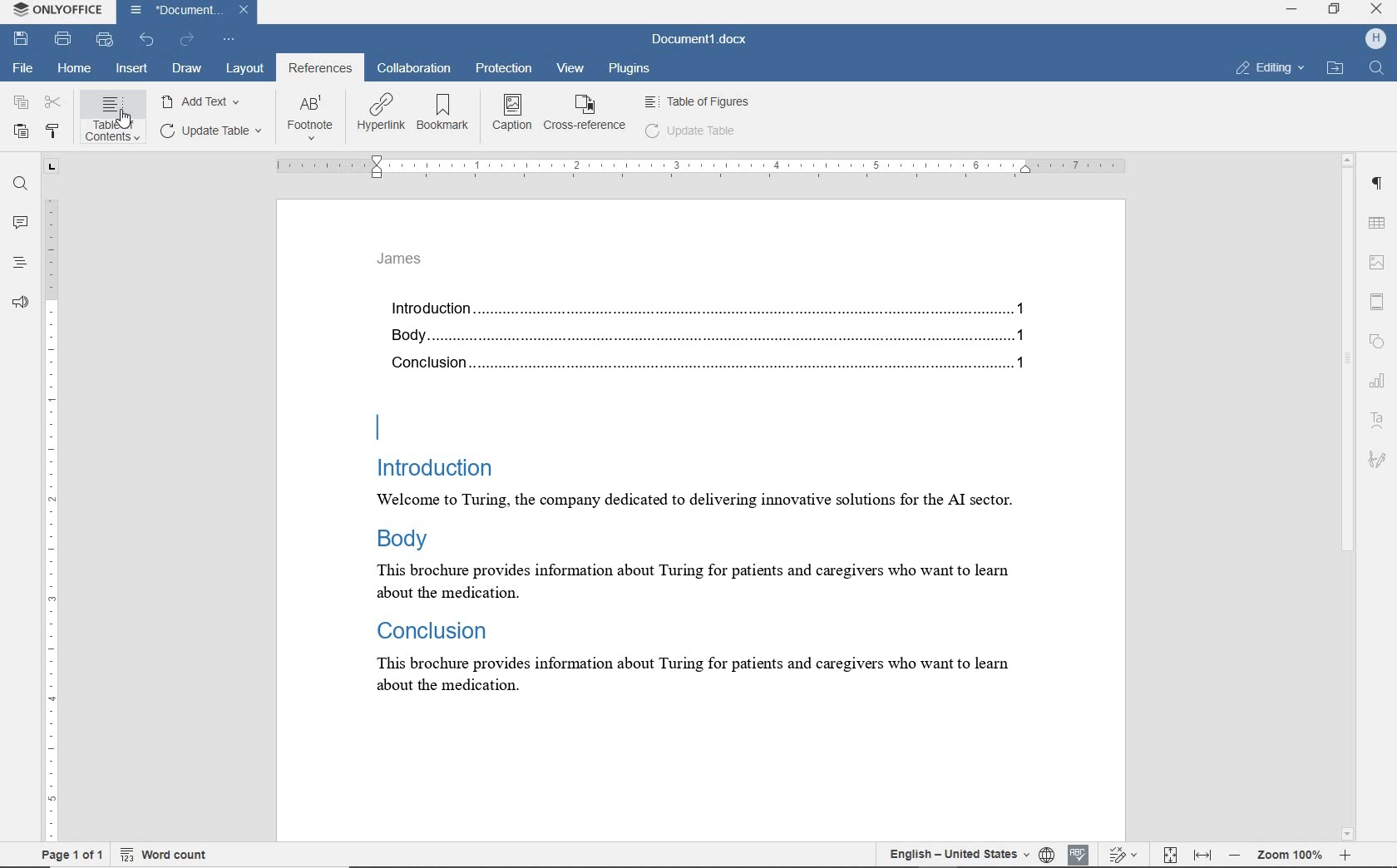 The image size is (1397, 868). Describe the element at coordinates (72, 856) in the screenshot. I see `page 1 of 1` at that location.